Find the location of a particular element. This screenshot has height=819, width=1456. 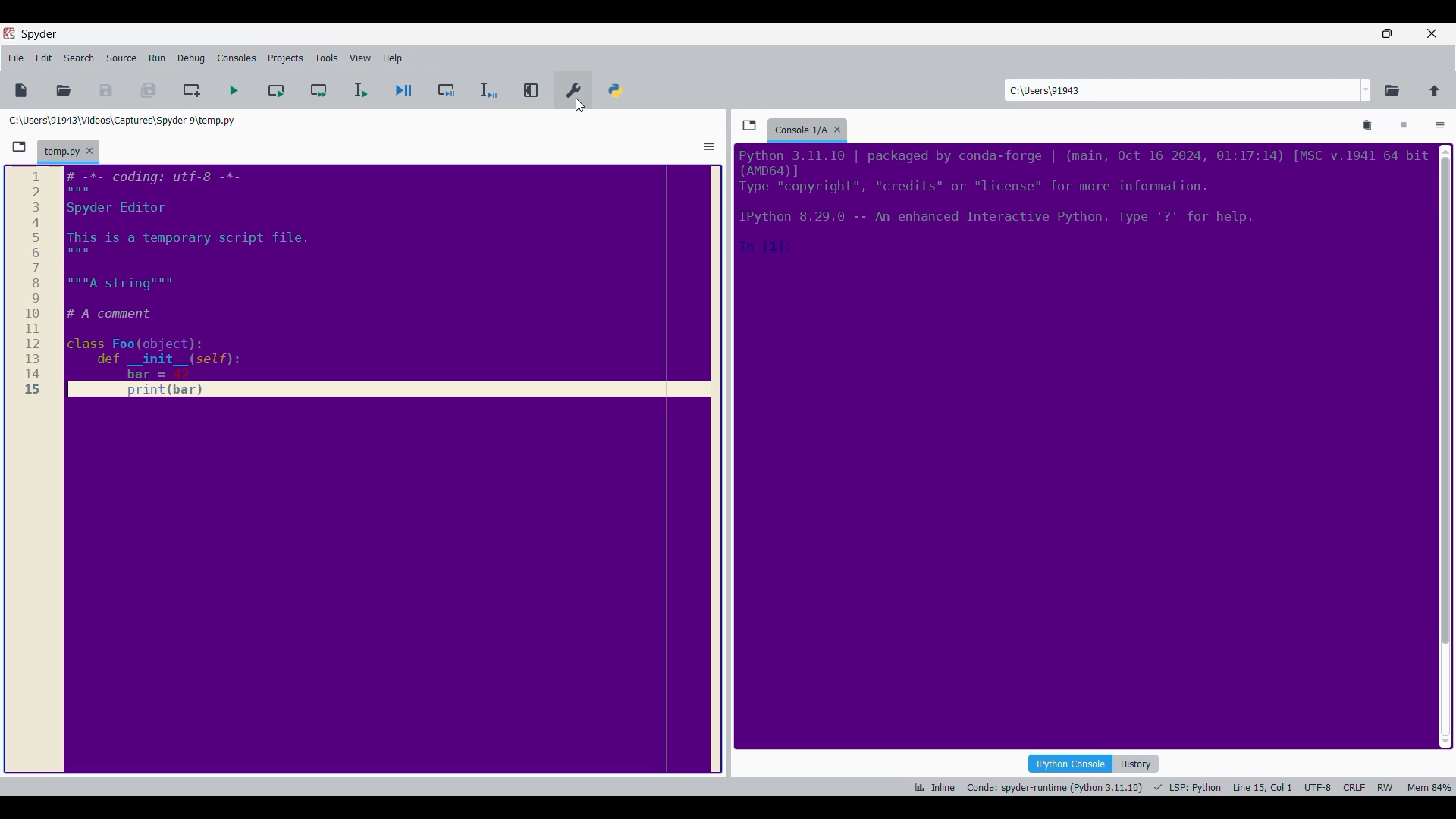

Current tab is located at coordinates (799, 130).